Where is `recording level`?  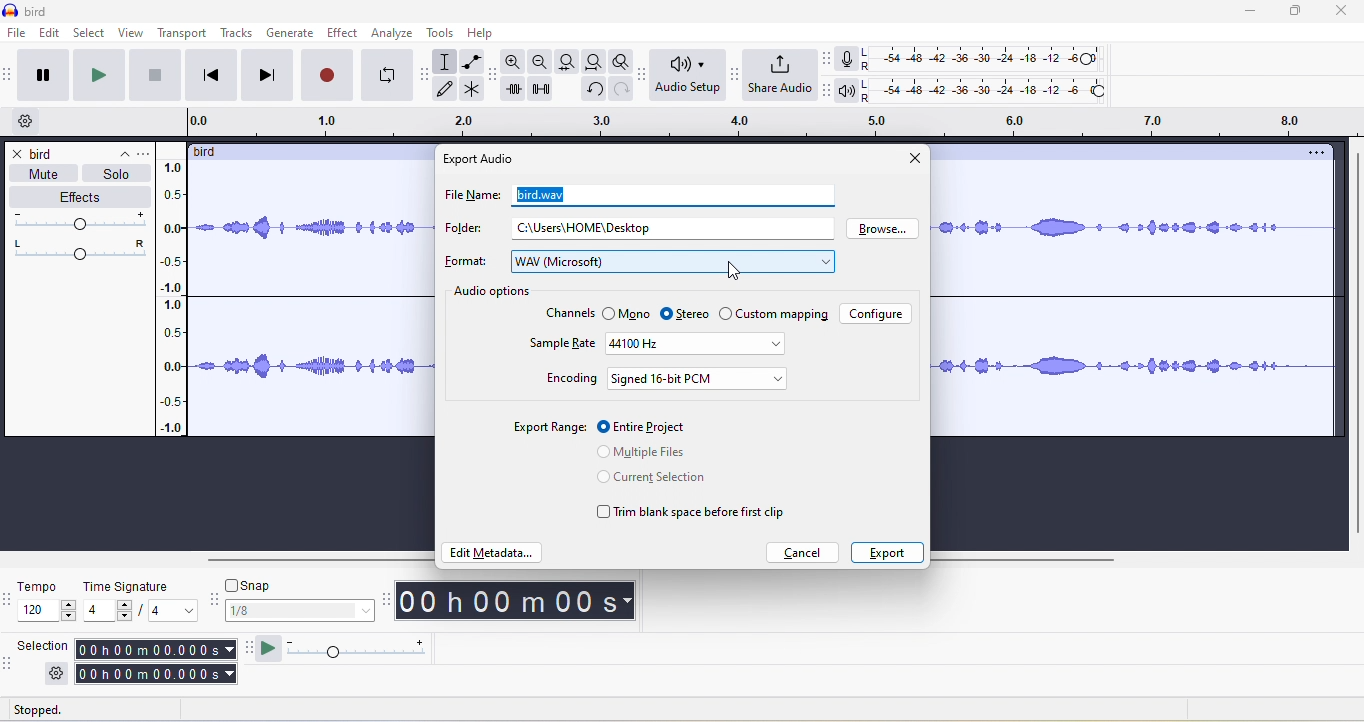 recording level is located at coordinates (995, 57).